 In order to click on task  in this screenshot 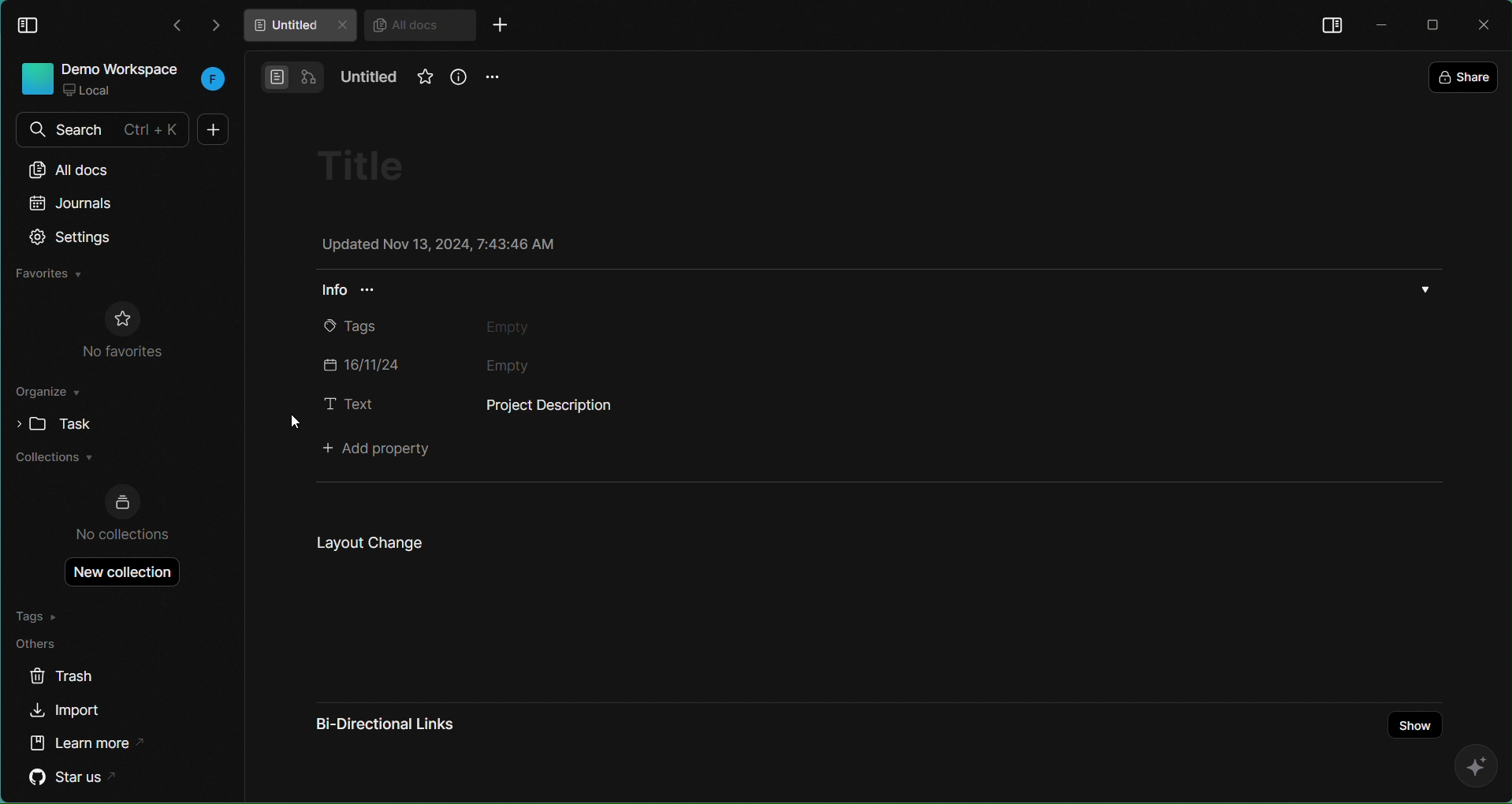, I will do `click(49, 423)`.